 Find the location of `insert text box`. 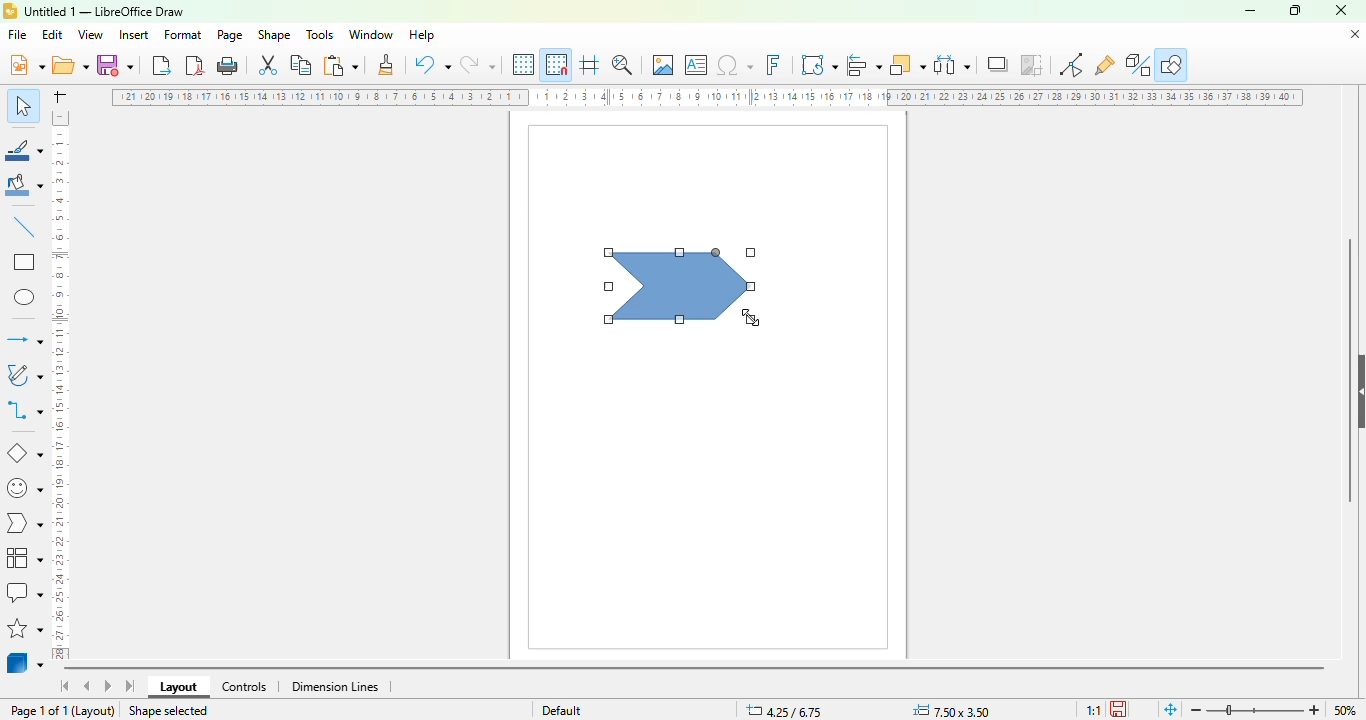

insert text box is located at coordinates (697, 65).